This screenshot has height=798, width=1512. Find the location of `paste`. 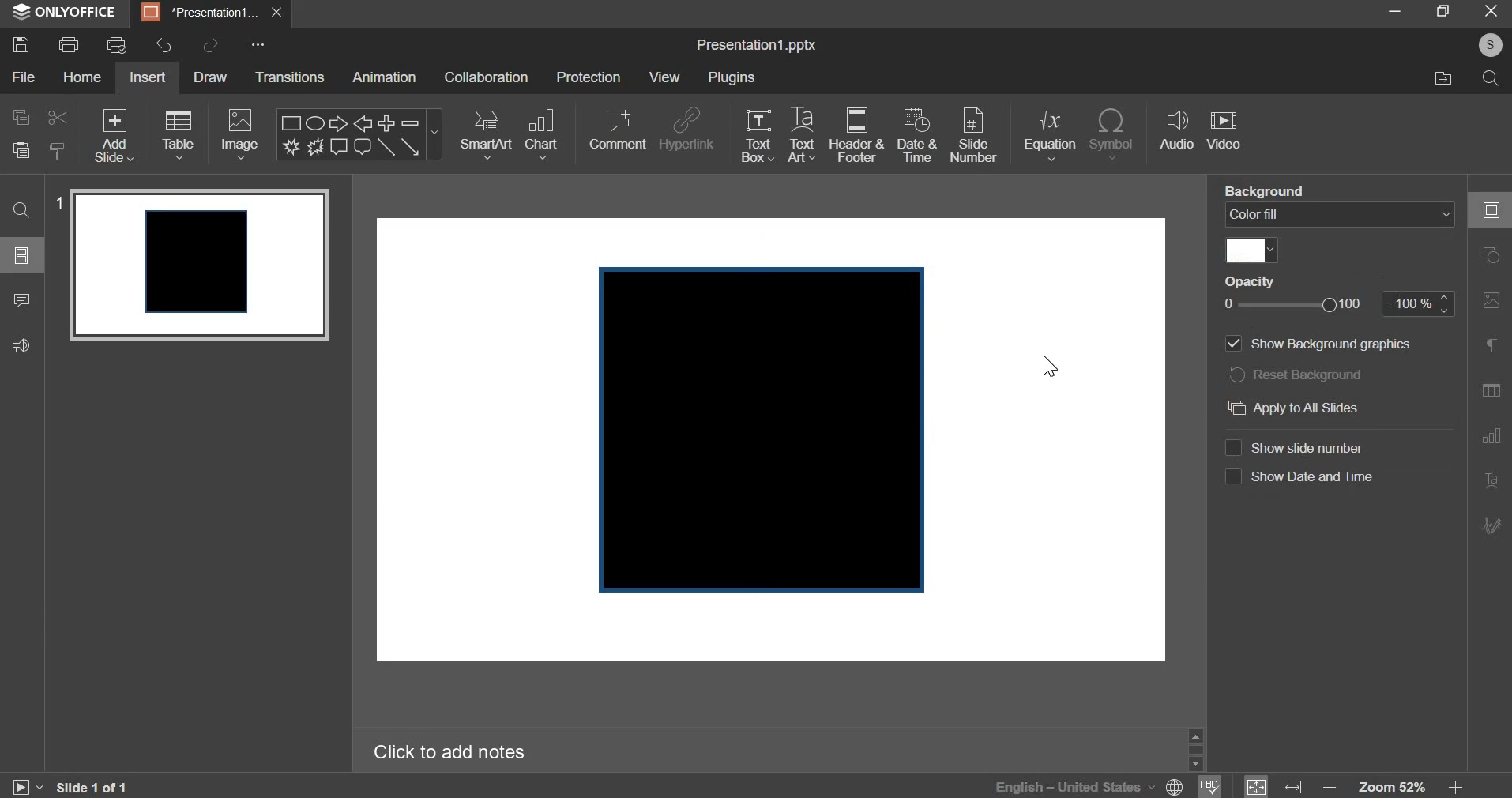

paste is located at coordinates (19, 150).